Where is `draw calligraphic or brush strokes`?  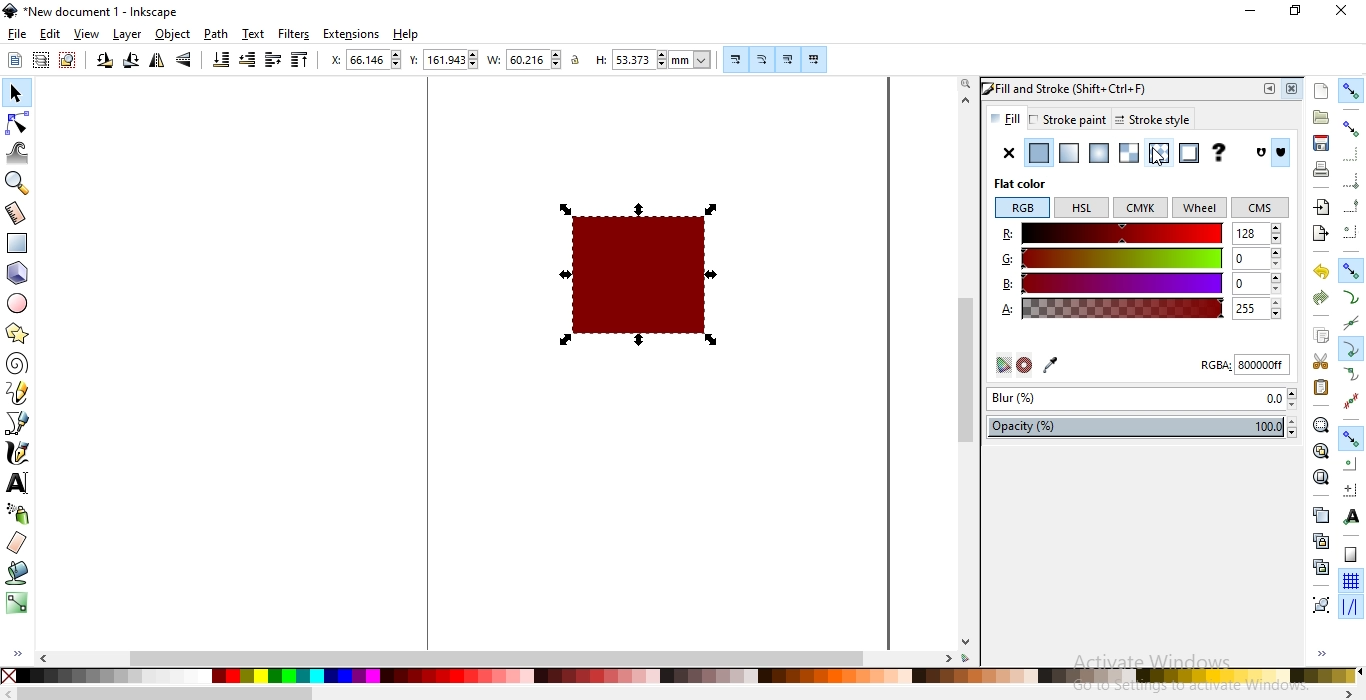 draw calligraphic or brush strokes is located at coordinates (16, 453).